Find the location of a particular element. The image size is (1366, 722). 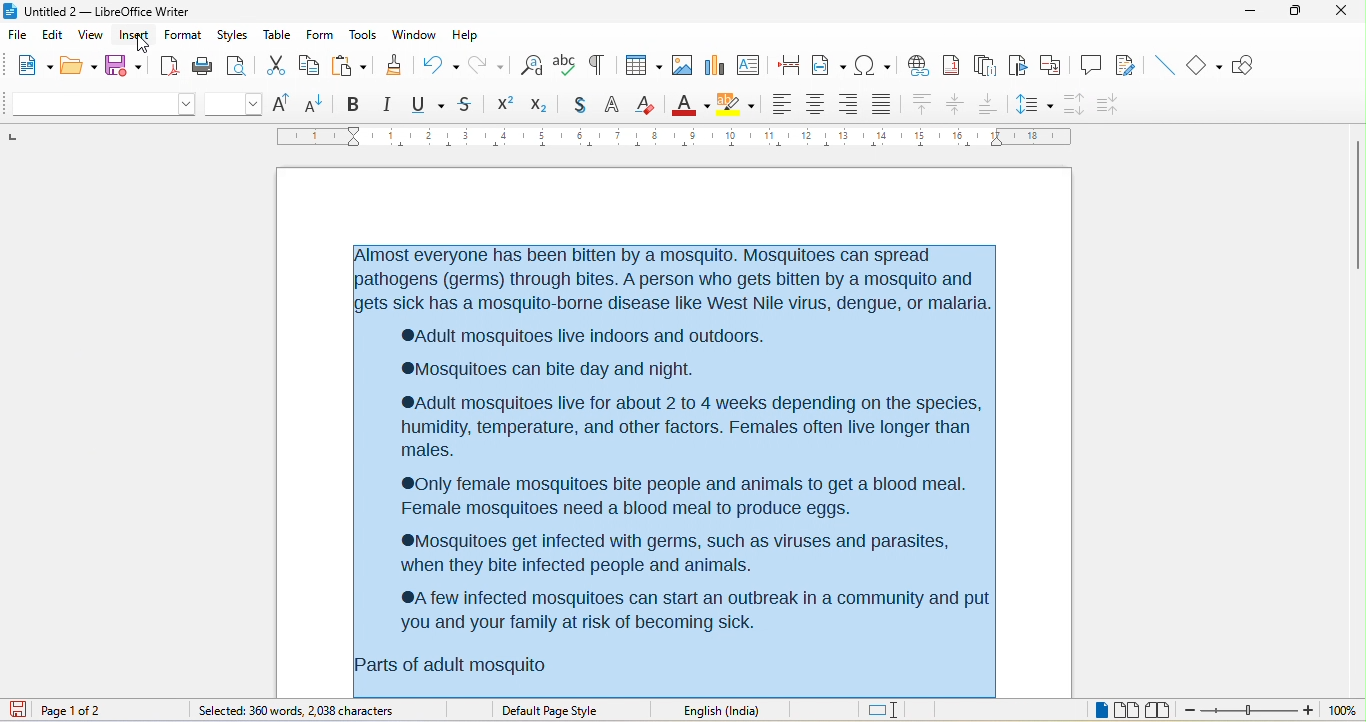

font size is located at coordinates (234, 105).